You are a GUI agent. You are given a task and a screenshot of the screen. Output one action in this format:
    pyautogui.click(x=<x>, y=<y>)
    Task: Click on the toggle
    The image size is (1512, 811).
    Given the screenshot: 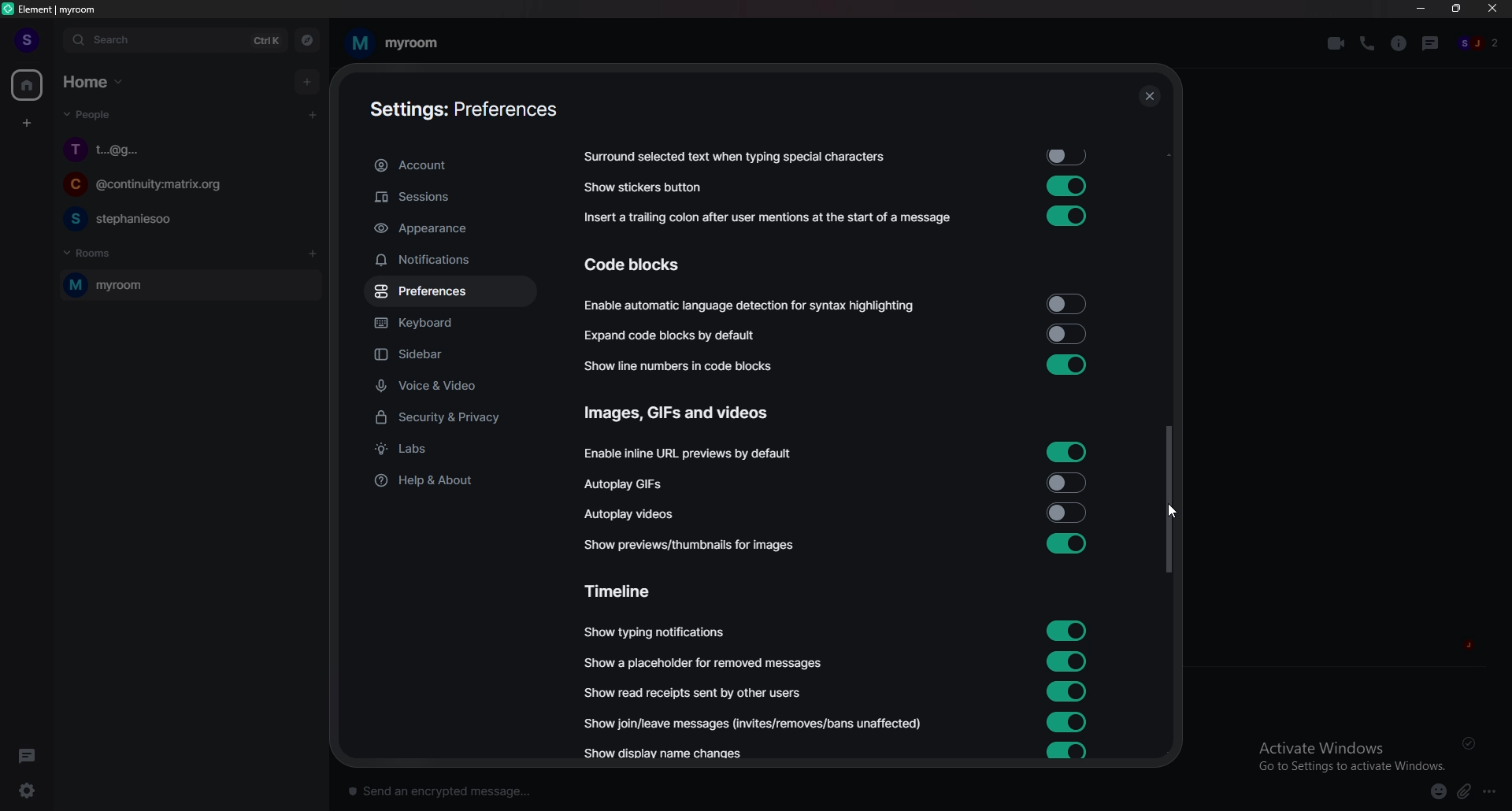 What is the action you would take?
    pyautogui.click(x=1065, y=691)
    